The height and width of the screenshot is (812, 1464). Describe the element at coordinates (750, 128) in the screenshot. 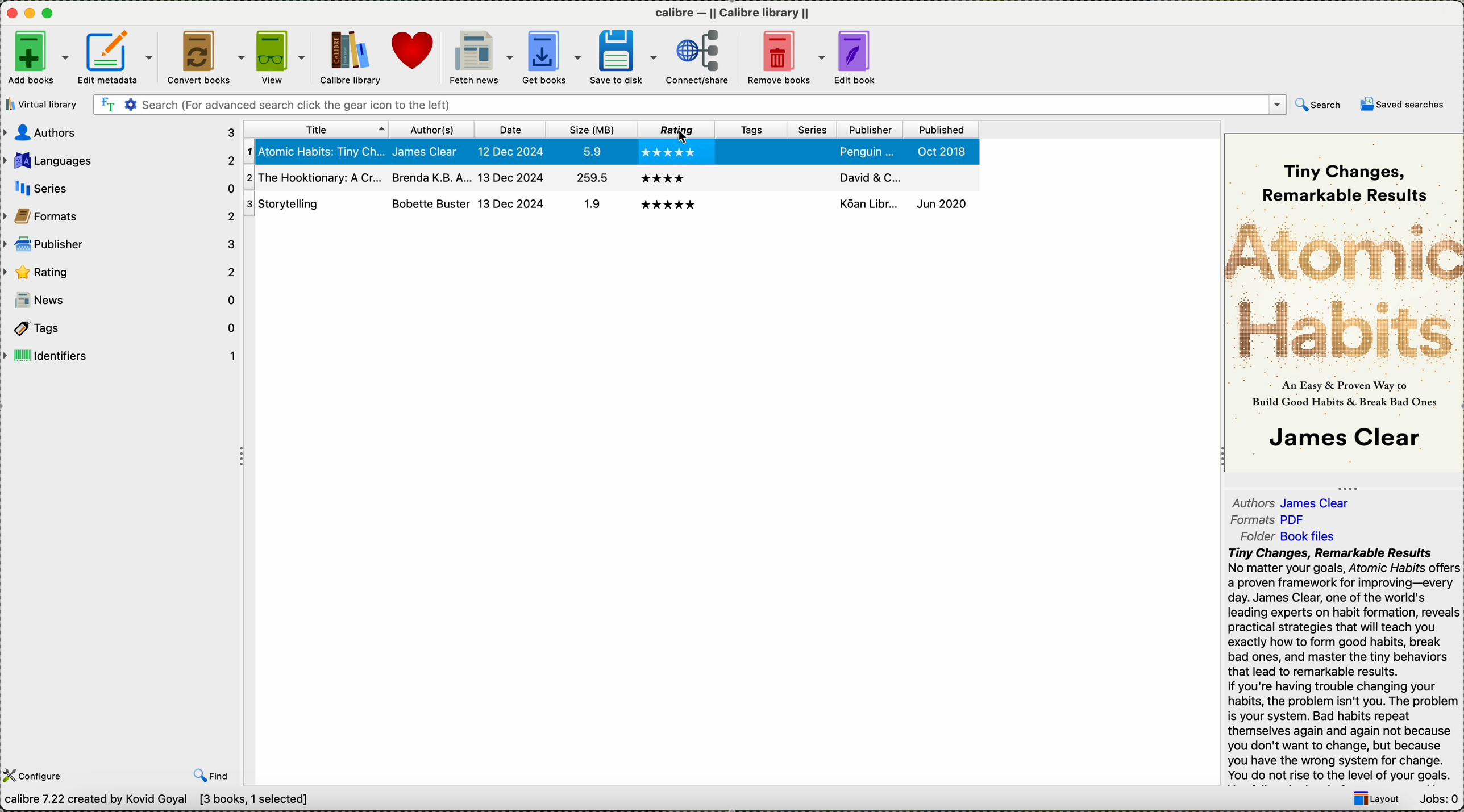

I see `tags` at that location.